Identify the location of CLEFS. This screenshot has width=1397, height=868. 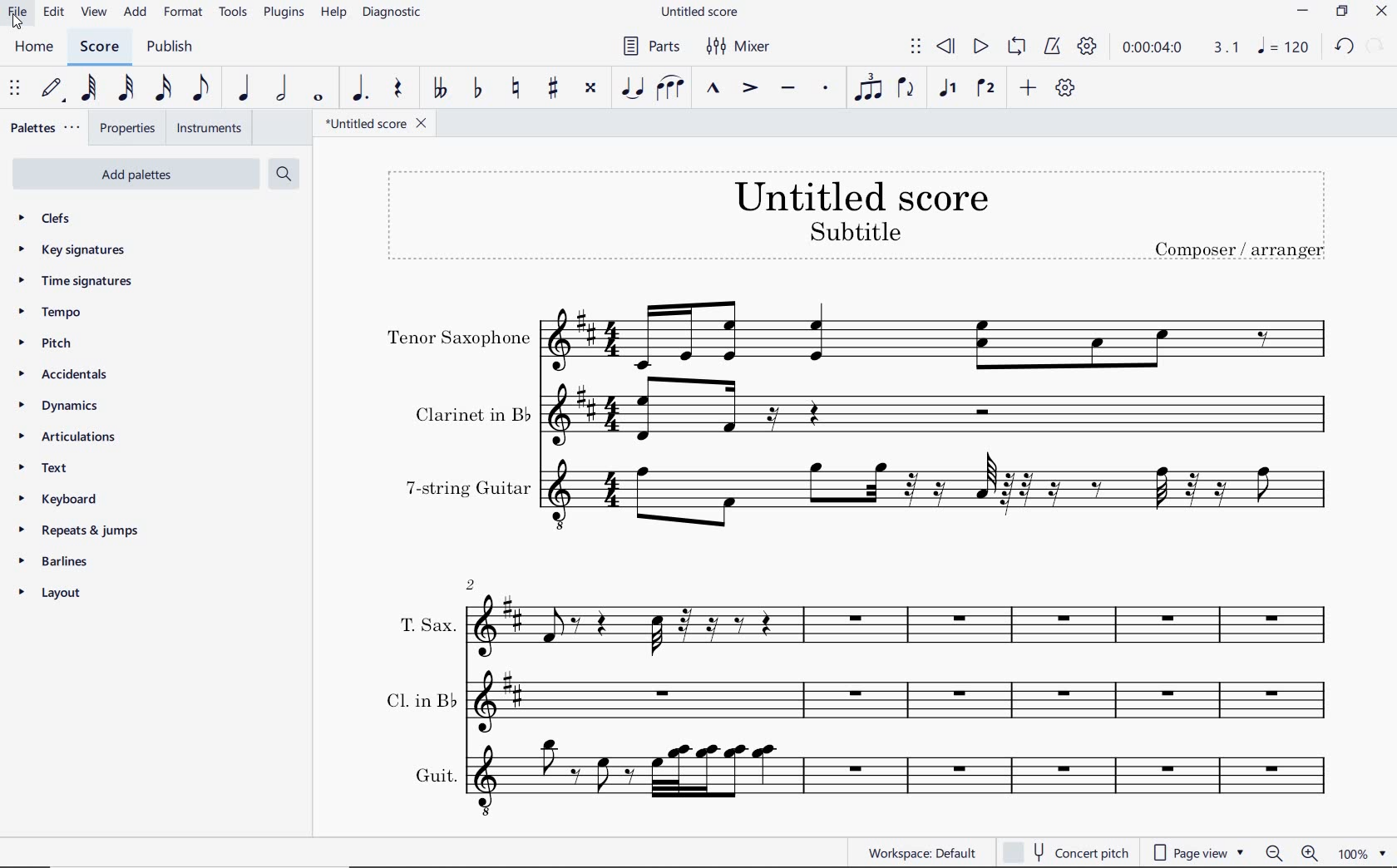
(47, 218).